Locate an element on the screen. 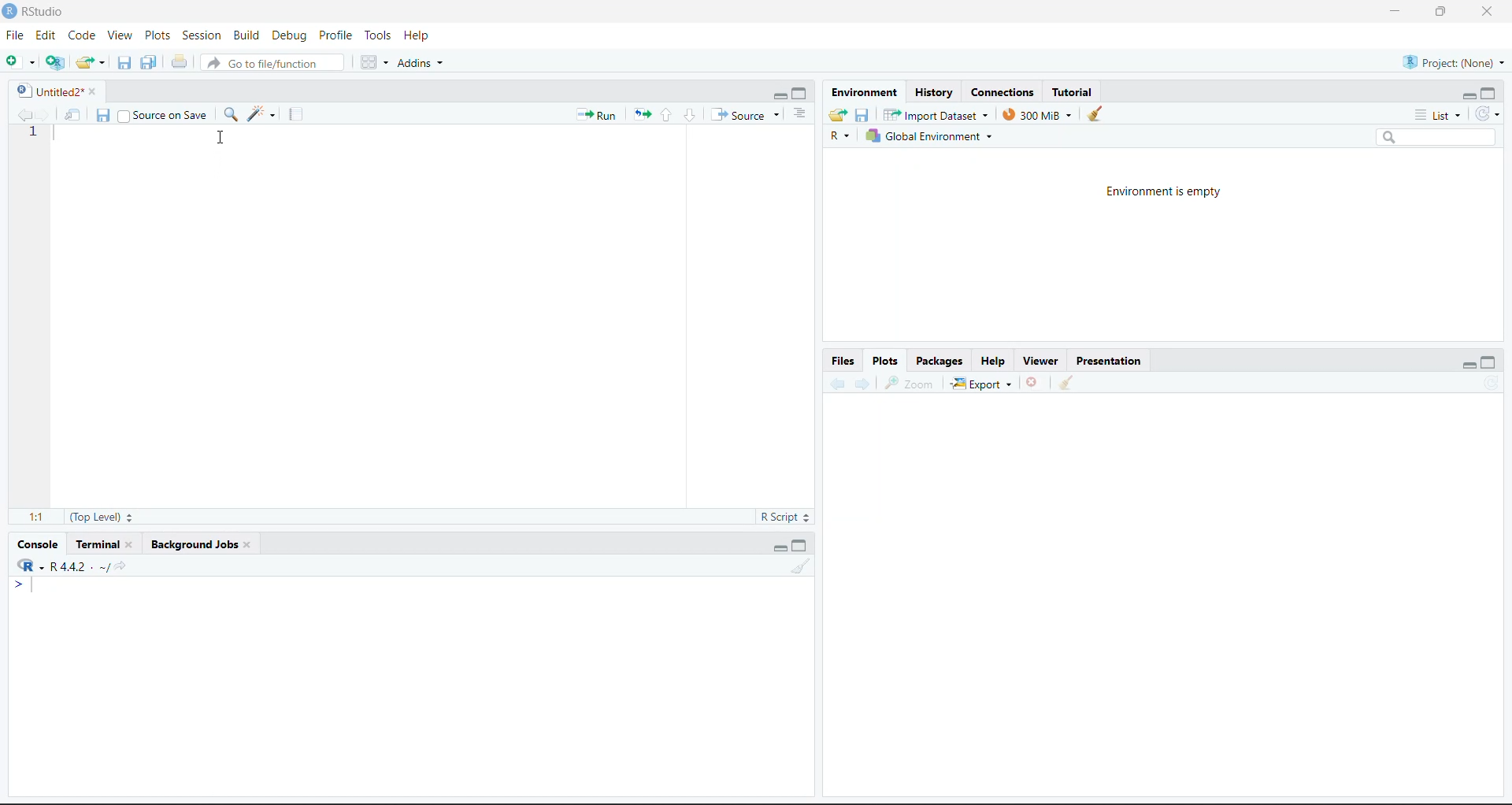  Tutorial is located at coordinates (1077, 91).